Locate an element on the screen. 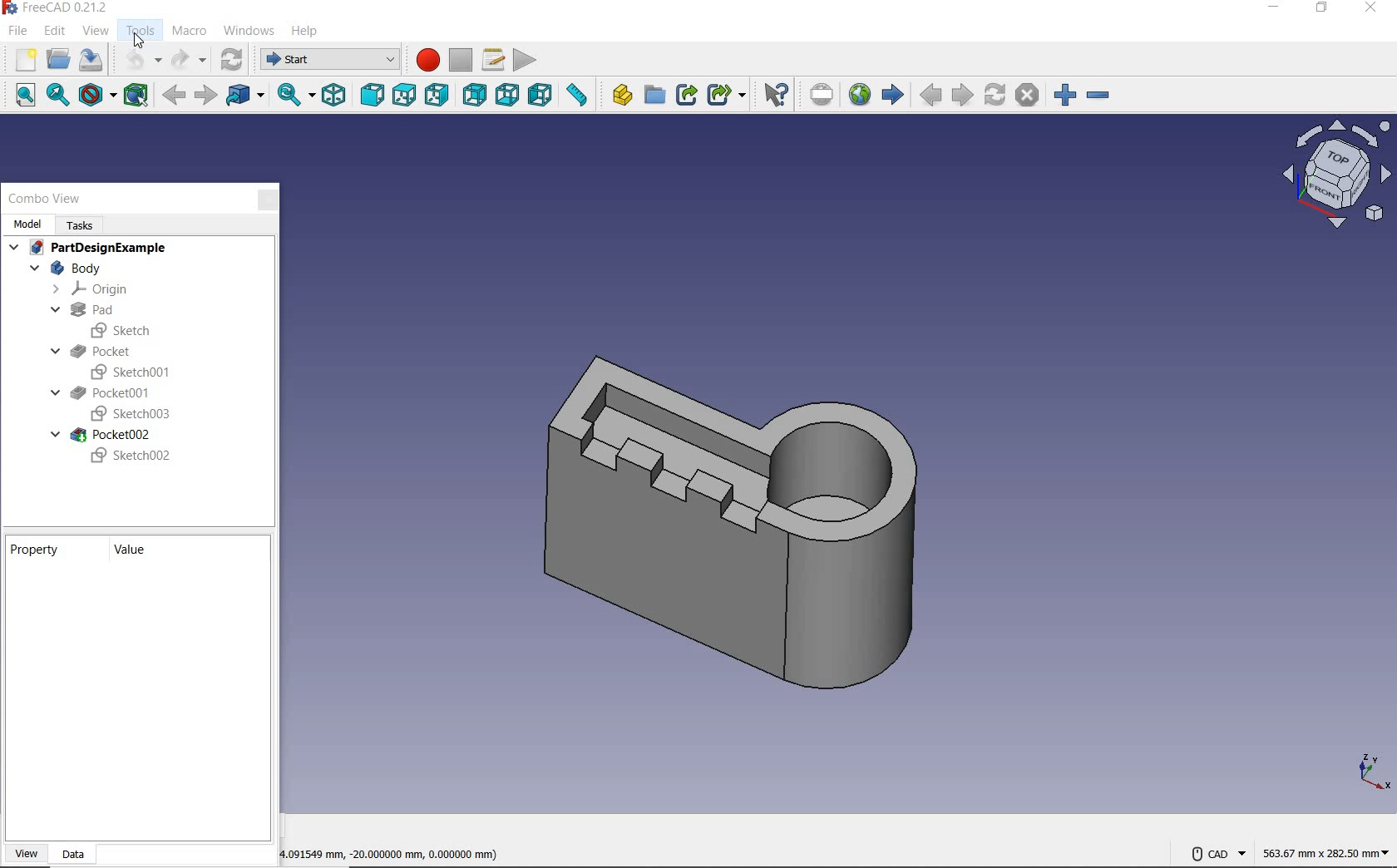  Sketch003 is located at coordinates (128, 415).